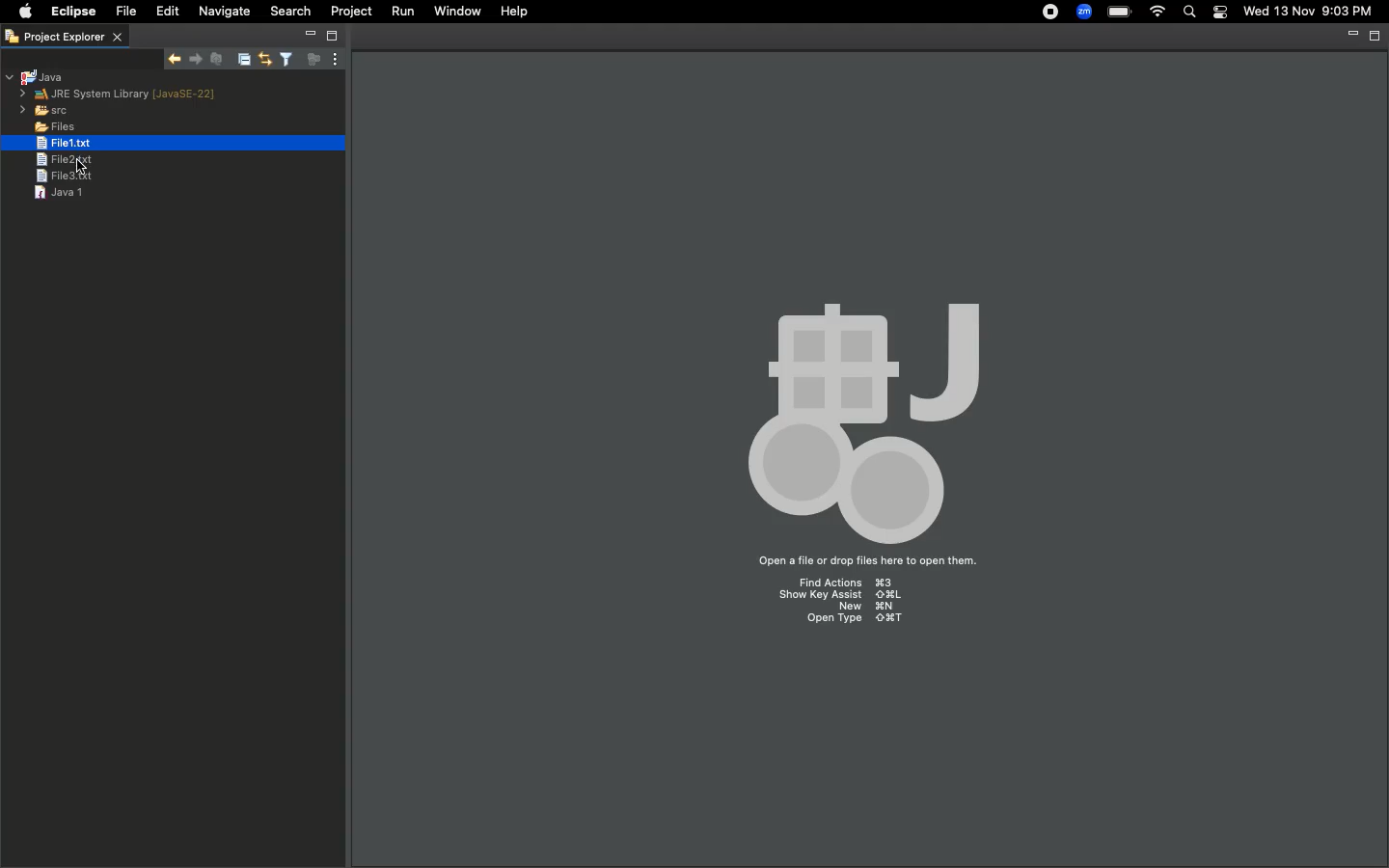 This screenshot has width=1389, height=868. I want to click on Icon, so click(862, 407).